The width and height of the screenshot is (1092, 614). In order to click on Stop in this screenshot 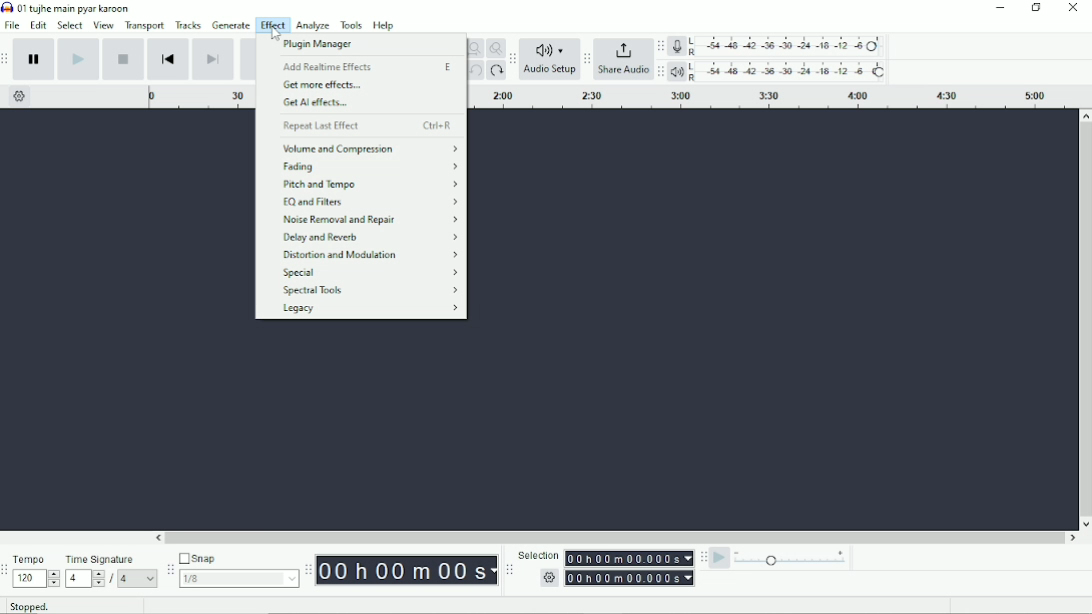, I will do `click(124, 60)`.